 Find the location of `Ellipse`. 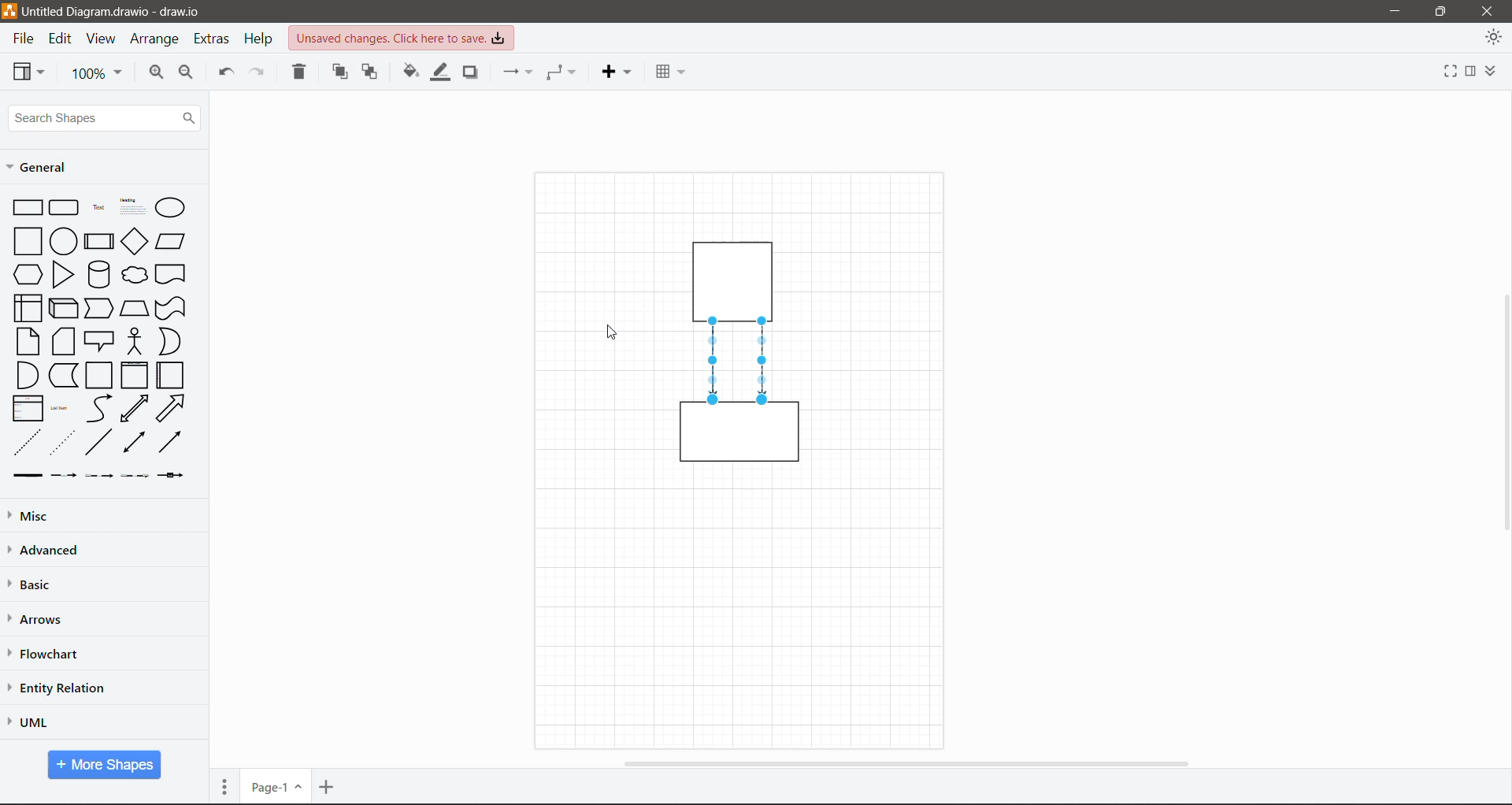

Ellipse is located at coordinates (170, 208).